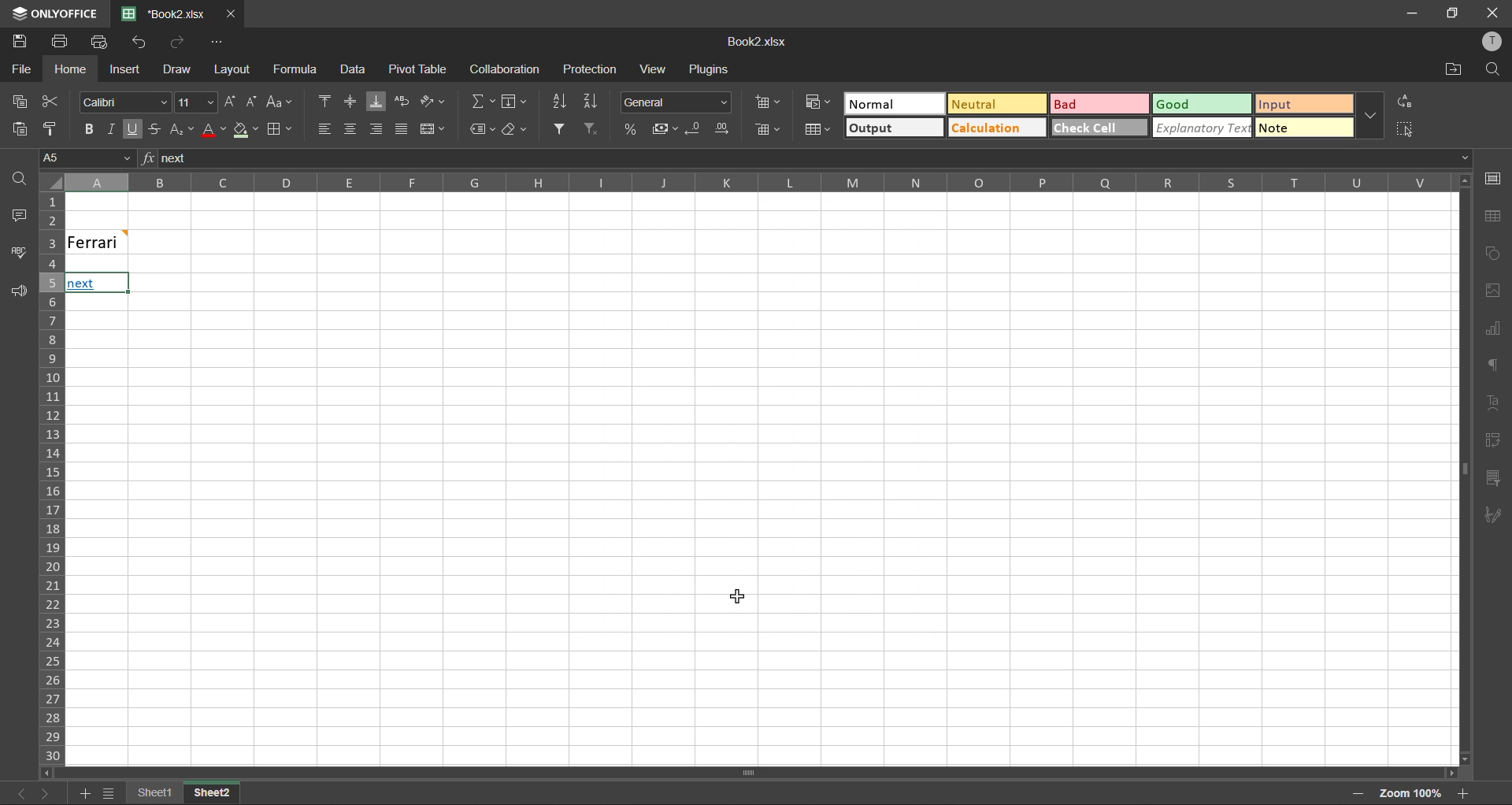  I want to click on number format, so click(677, 102).